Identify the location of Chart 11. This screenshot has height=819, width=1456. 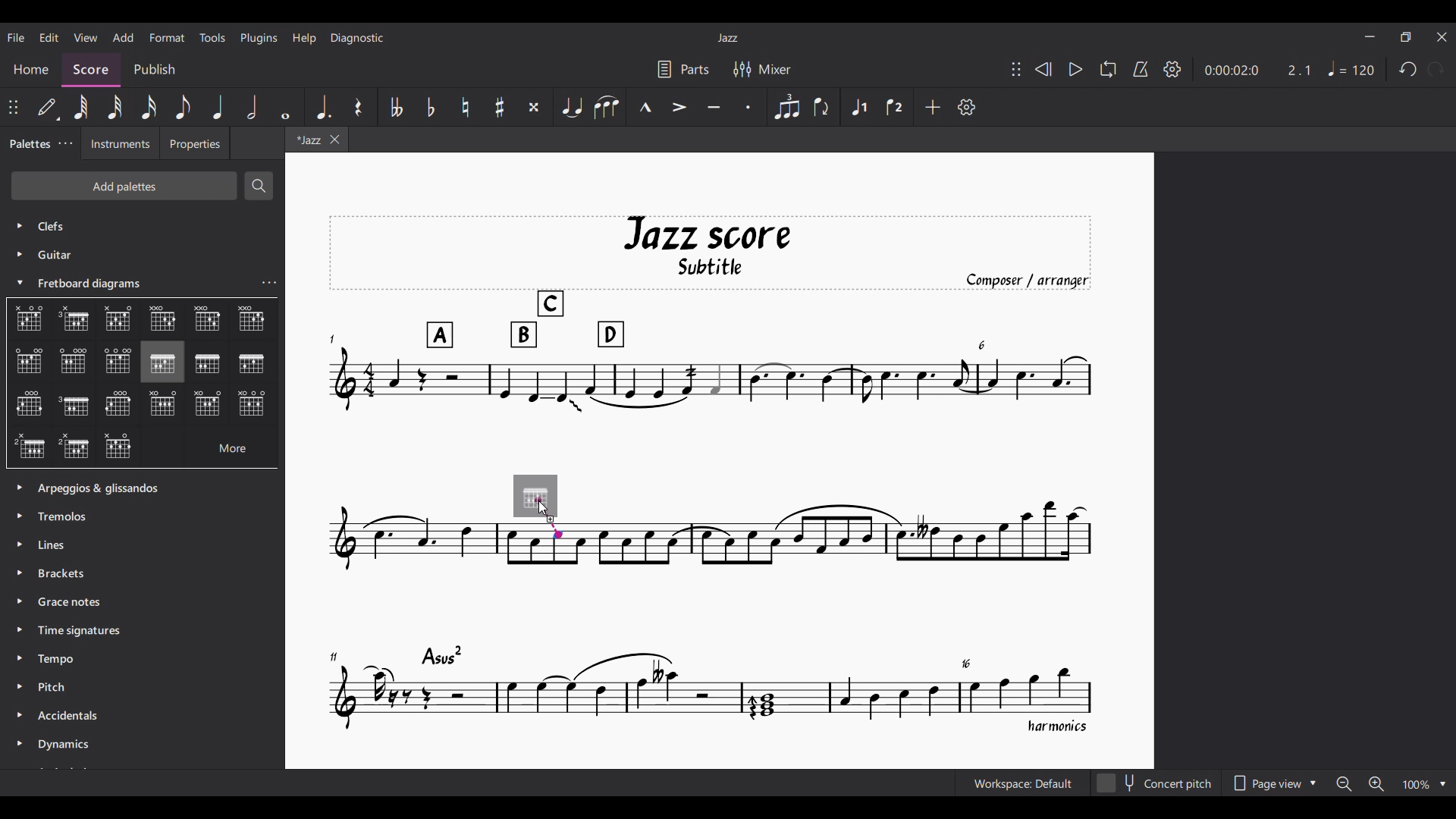
(251, 365).